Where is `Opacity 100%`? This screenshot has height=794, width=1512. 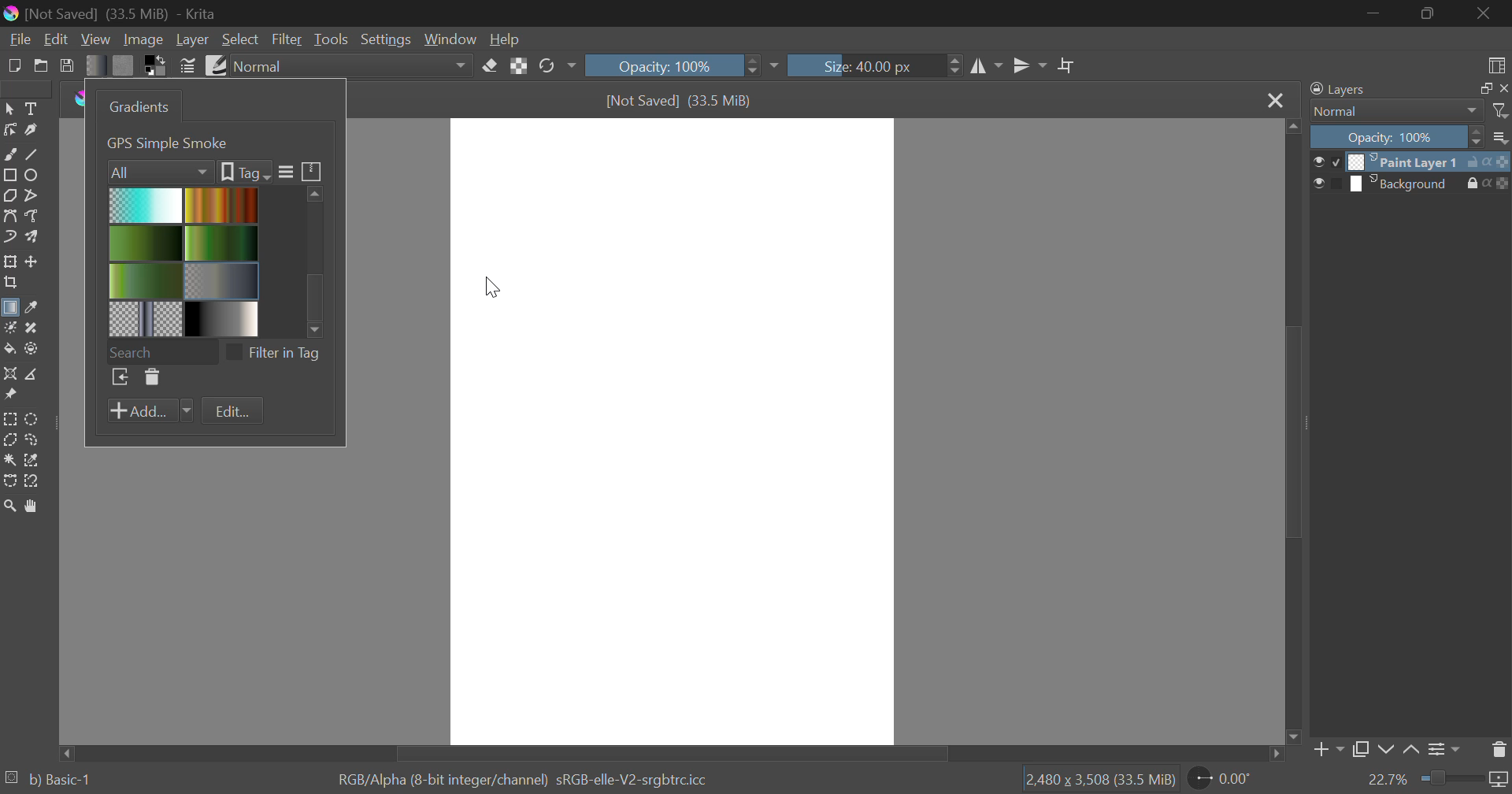
Opacity 100% is located at coordinates (1395, 137).